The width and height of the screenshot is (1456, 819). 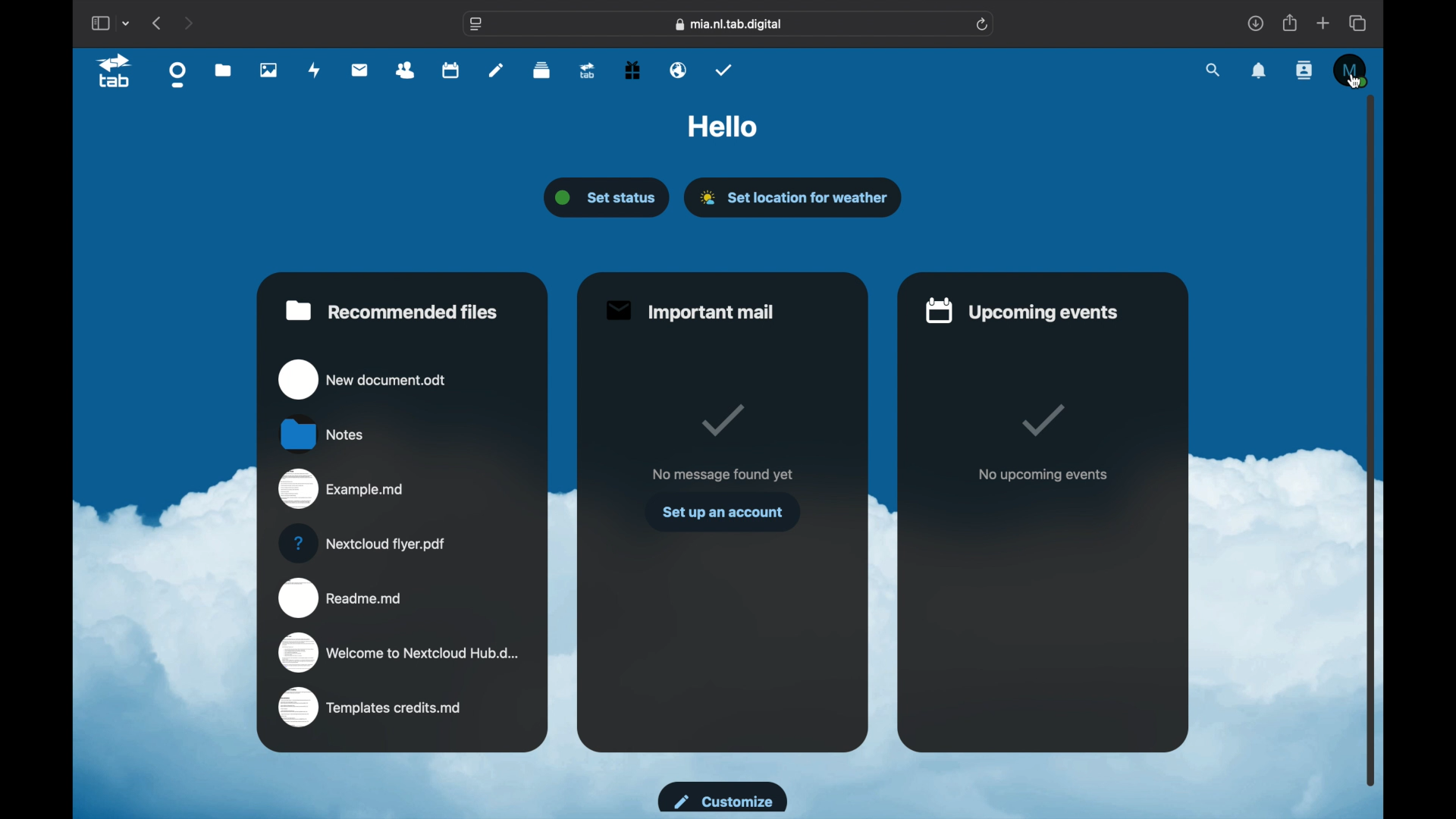 I want to click on M, so click(x=1351, y=71).